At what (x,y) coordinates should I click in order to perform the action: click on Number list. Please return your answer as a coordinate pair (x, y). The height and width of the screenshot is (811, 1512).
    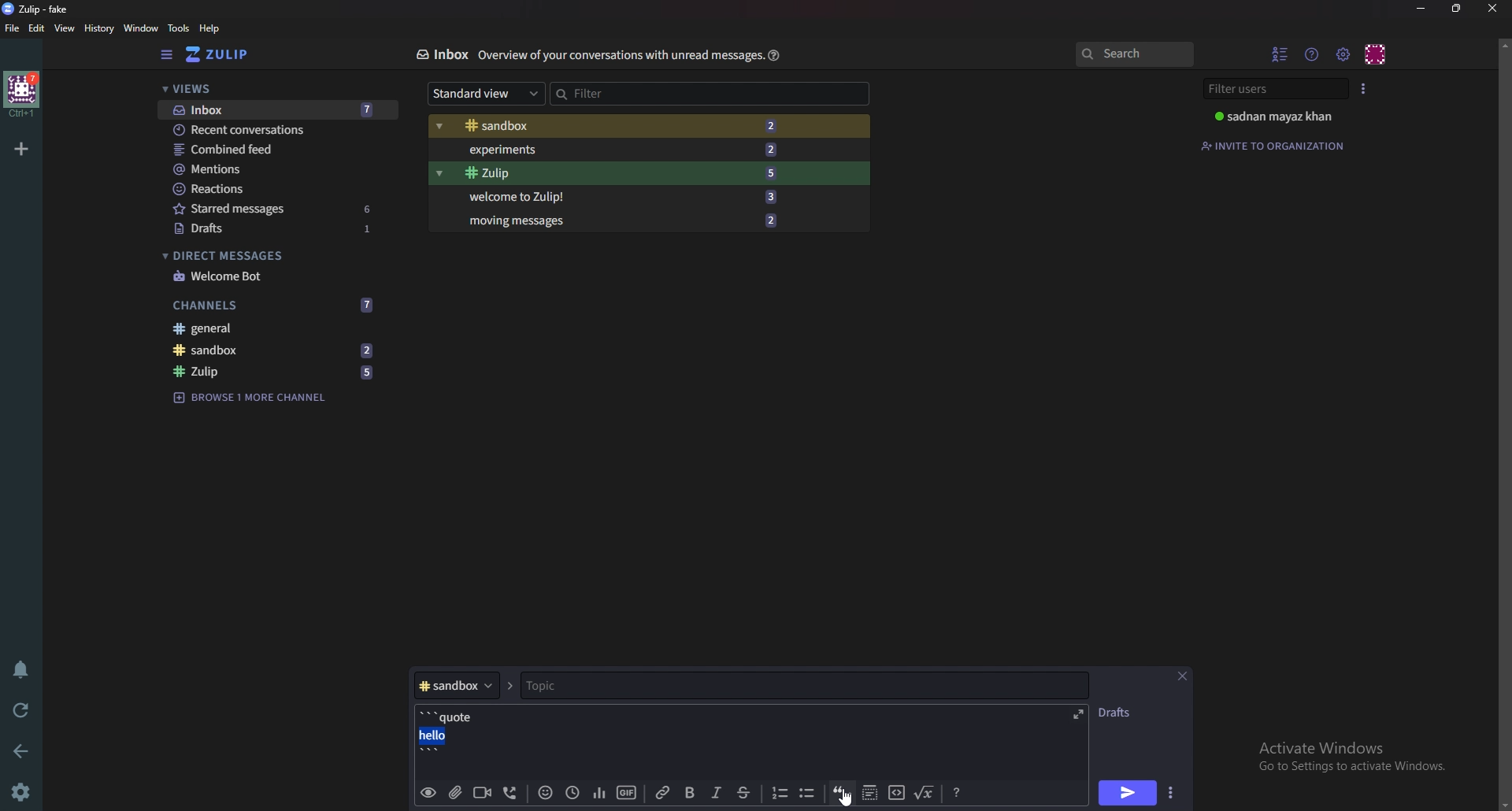
    Looking at the image, I should click on (780, 792).